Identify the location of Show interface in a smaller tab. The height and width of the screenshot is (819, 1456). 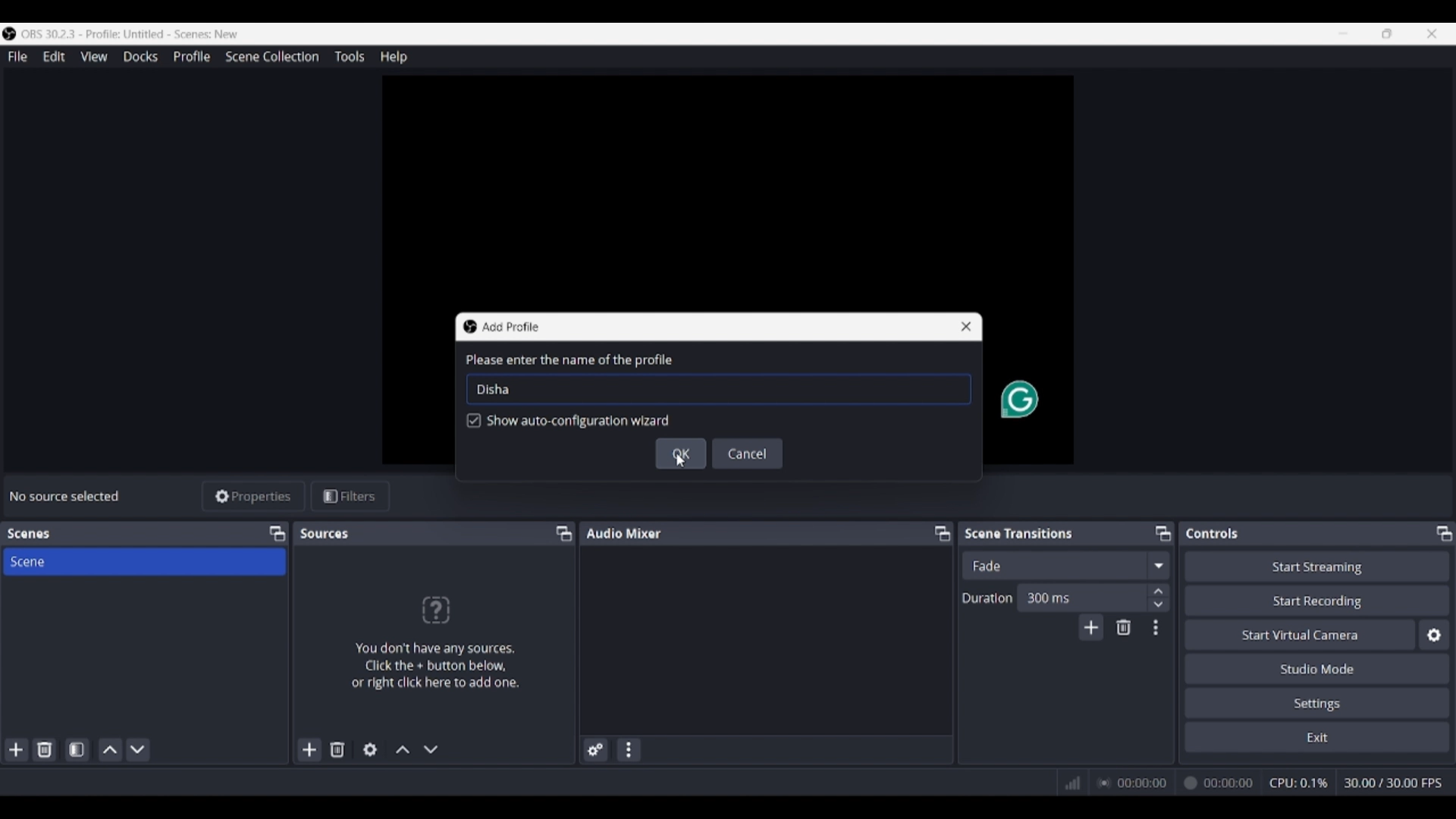
(1387, 33).